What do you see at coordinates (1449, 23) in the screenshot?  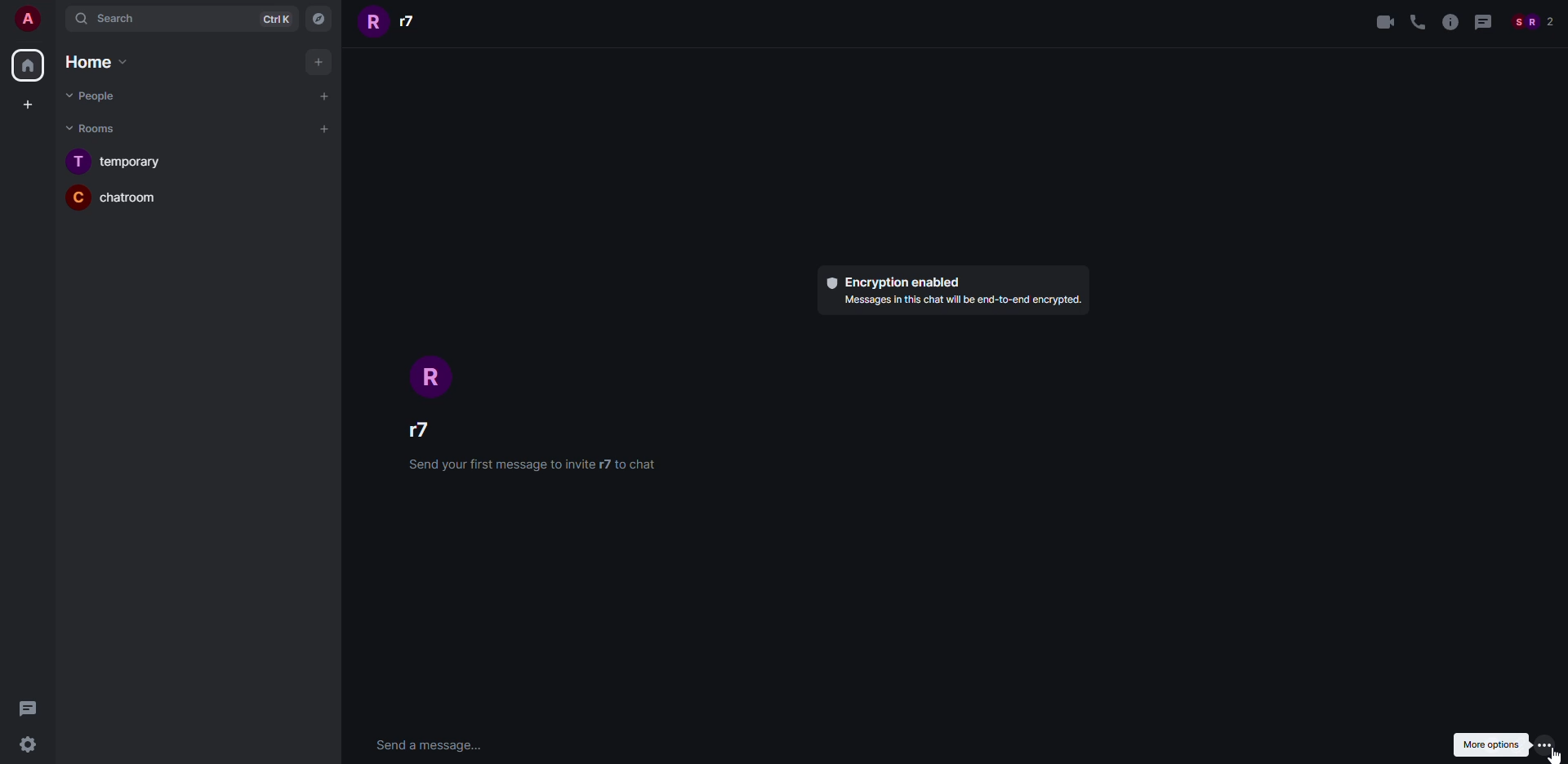 I see `information` at bounding box center [1449, 23].